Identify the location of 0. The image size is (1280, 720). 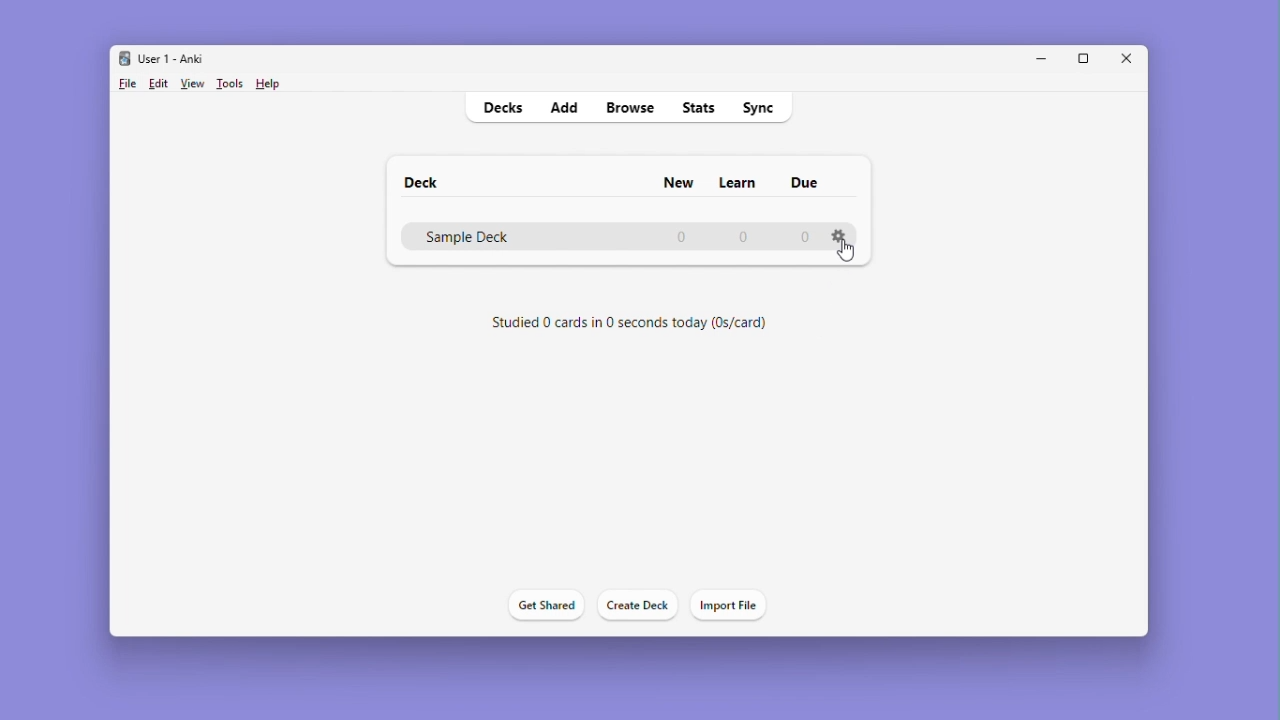
(683, 236).